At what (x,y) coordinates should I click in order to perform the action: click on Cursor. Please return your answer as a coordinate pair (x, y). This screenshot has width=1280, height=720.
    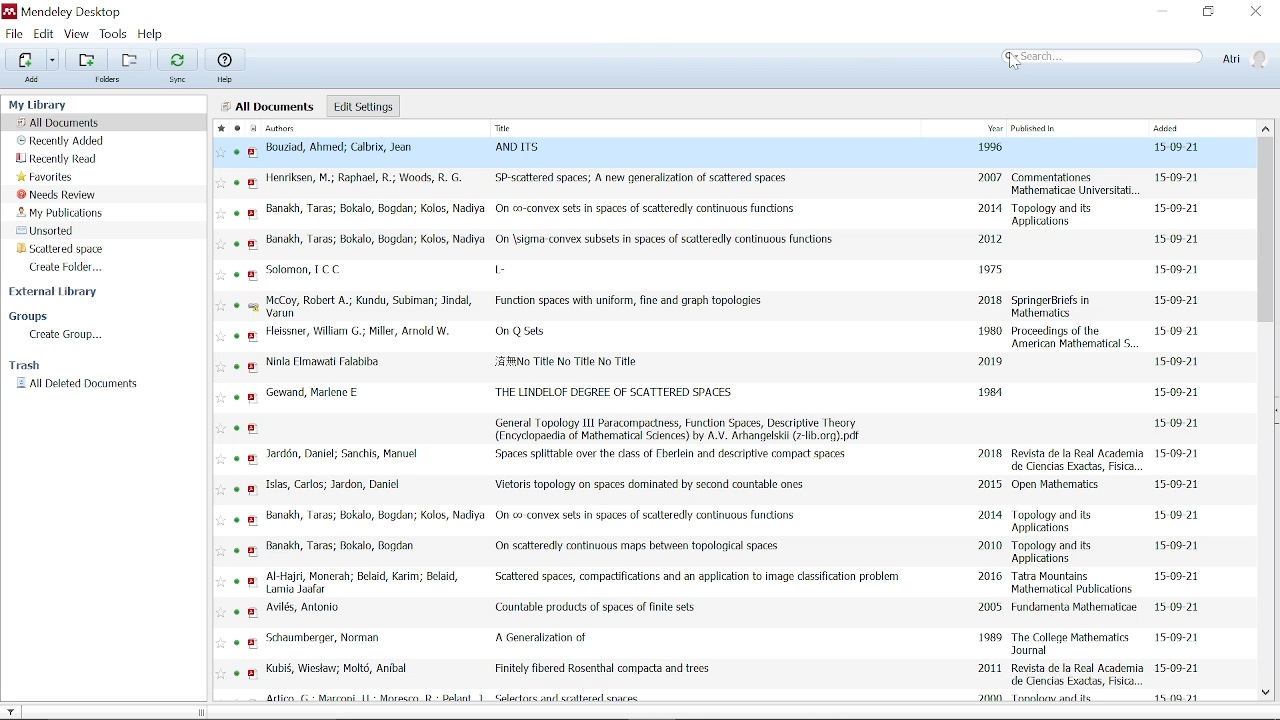
    Looking at the image, I should click on (1015, 61).